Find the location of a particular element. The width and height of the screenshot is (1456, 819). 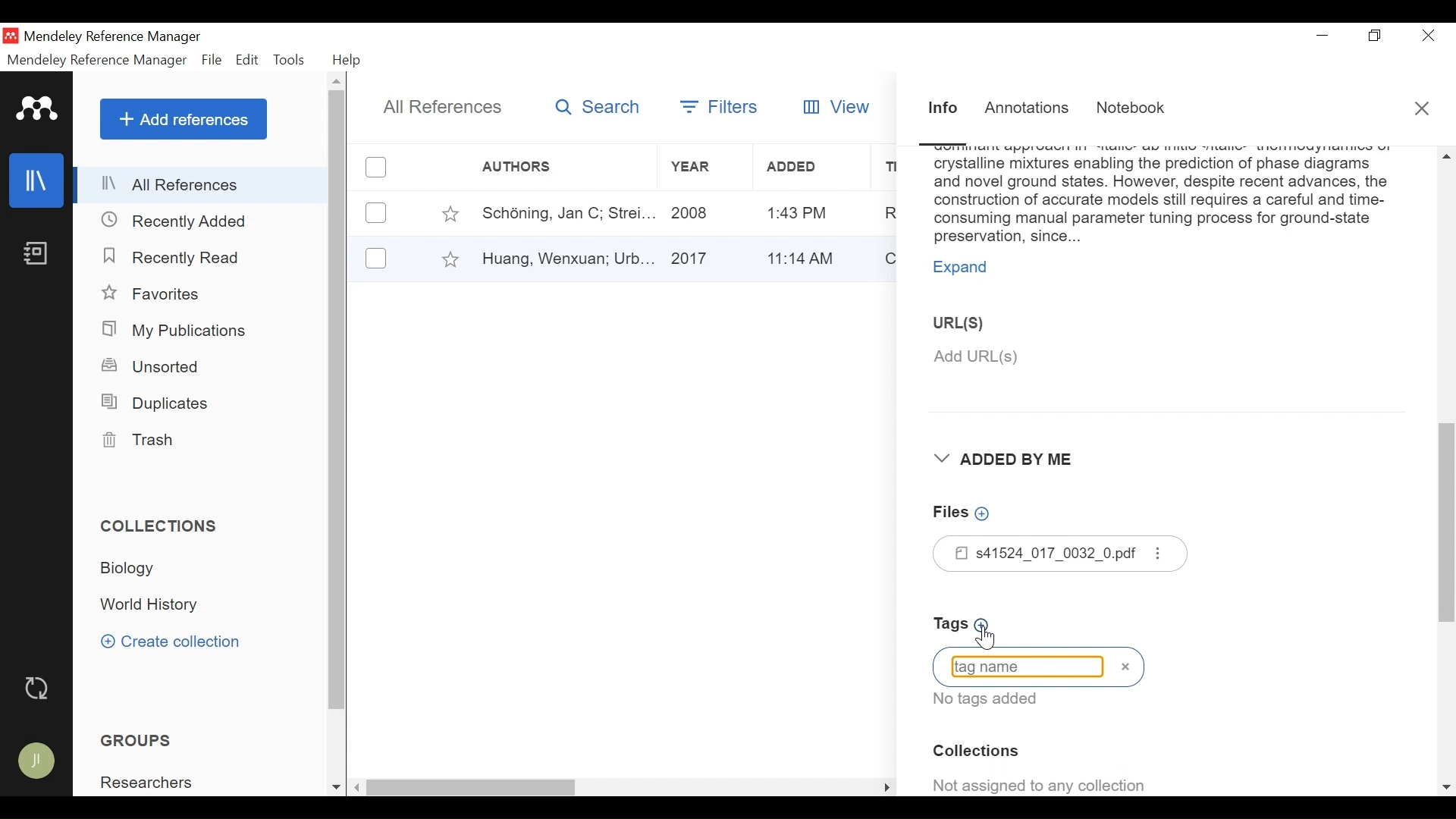

Create Collection is located at coordinates (171, 641).